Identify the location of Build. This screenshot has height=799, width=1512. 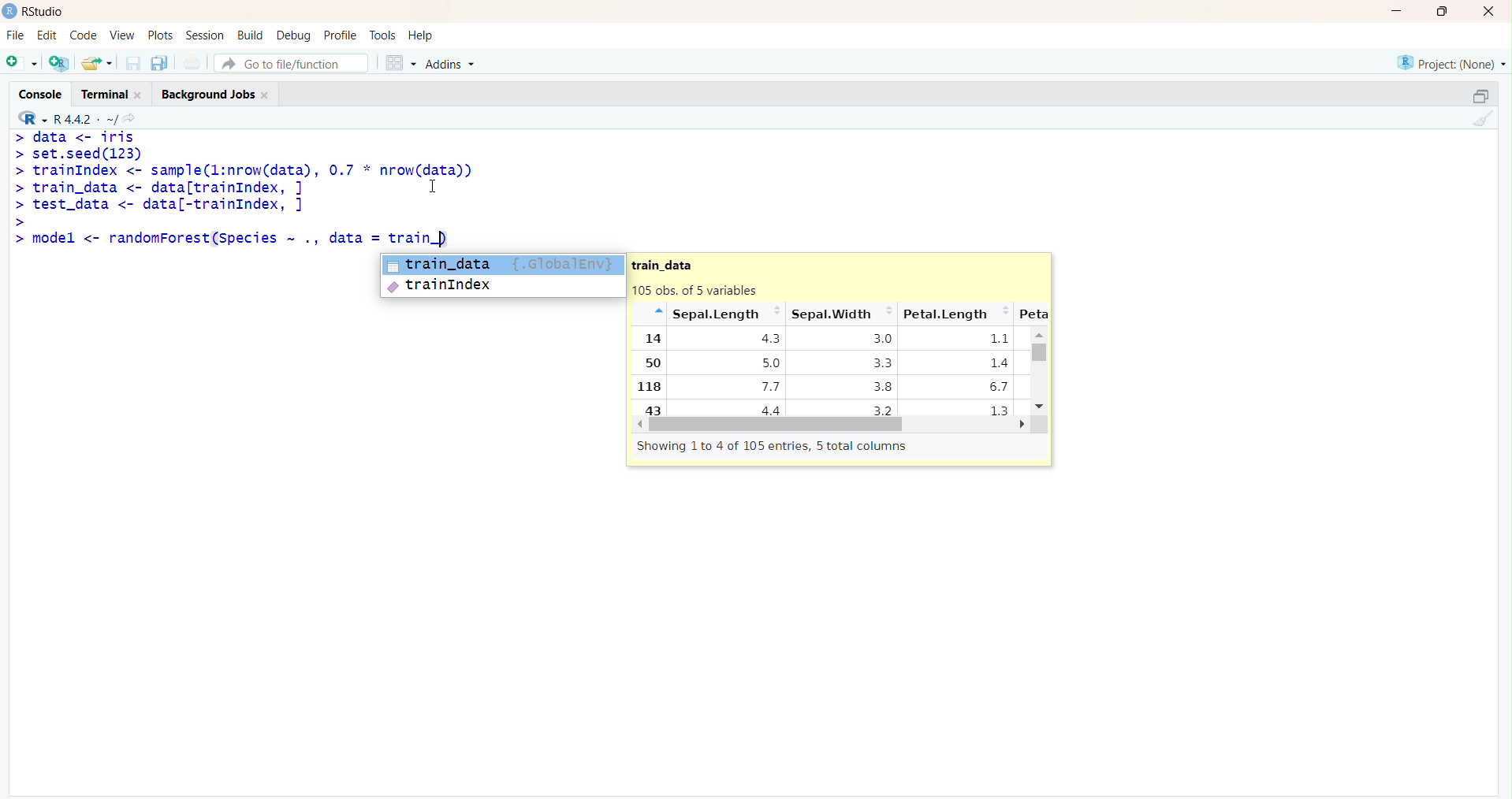
(252, 34).